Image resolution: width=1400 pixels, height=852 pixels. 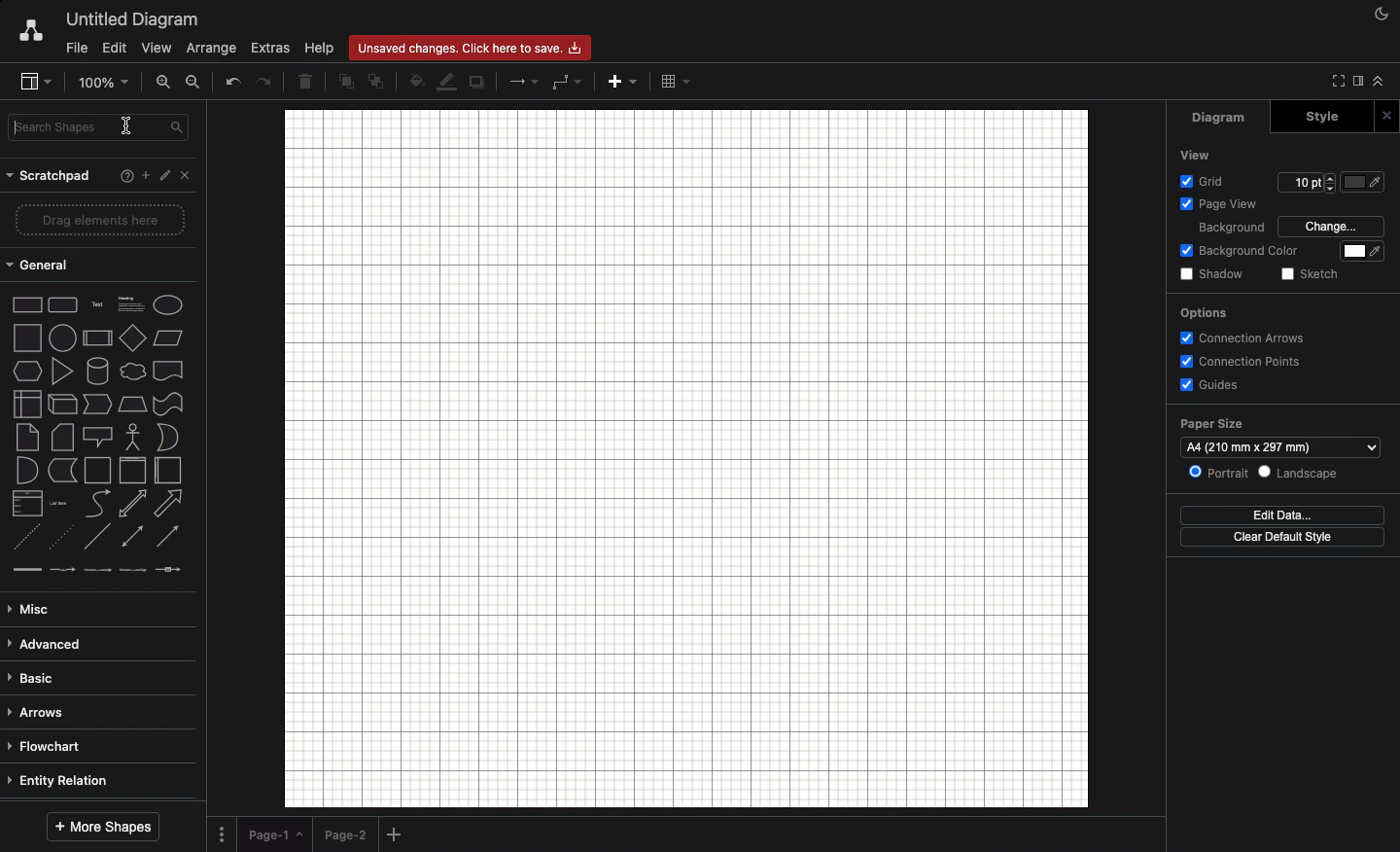 What do you see at coordinates (271, 49) in the screenshot?
I see `Extras` at bounding box center [271, 49].